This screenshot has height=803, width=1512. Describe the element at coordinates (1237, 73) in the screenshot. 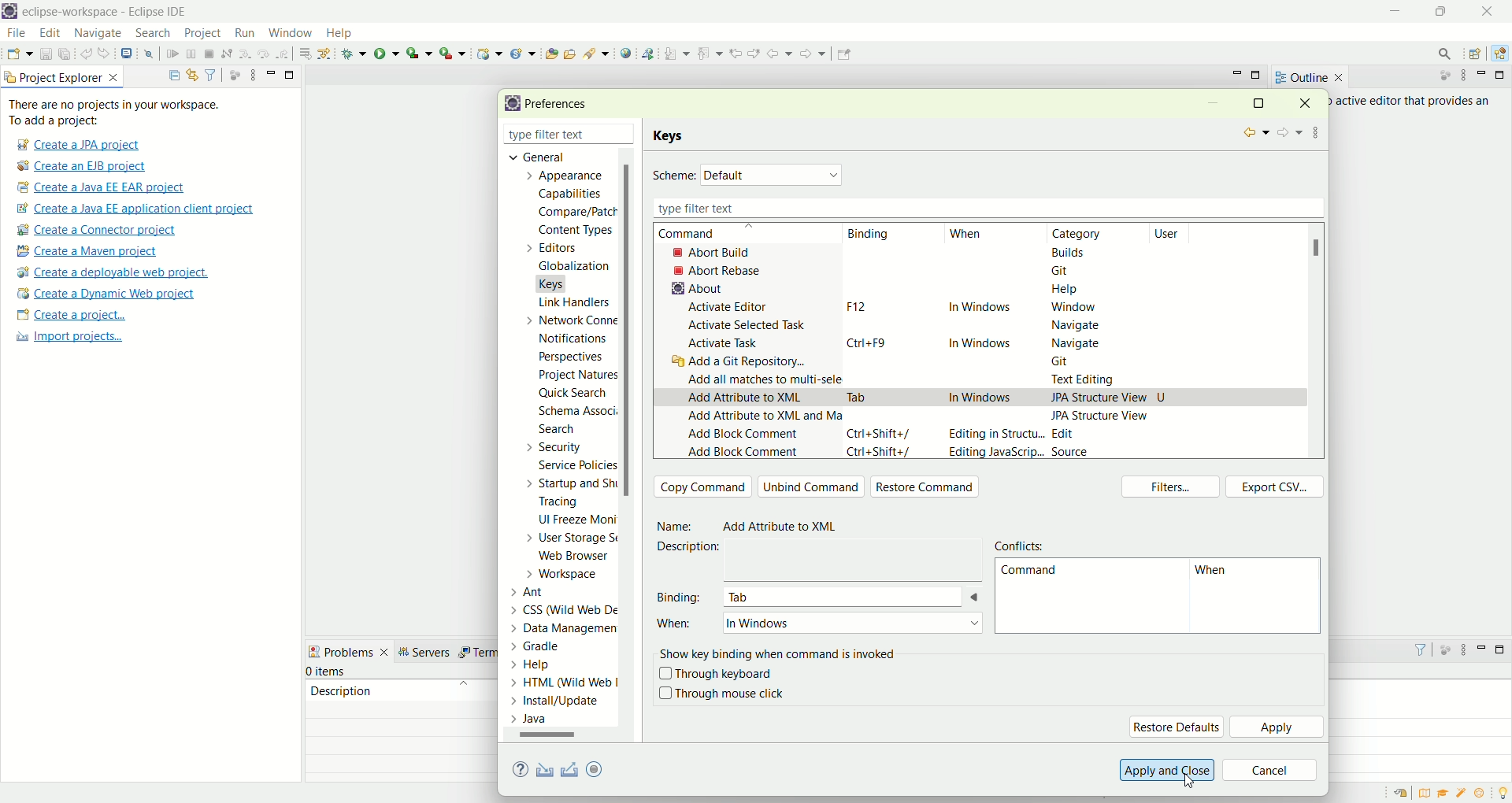

I see `minimize` at that location.